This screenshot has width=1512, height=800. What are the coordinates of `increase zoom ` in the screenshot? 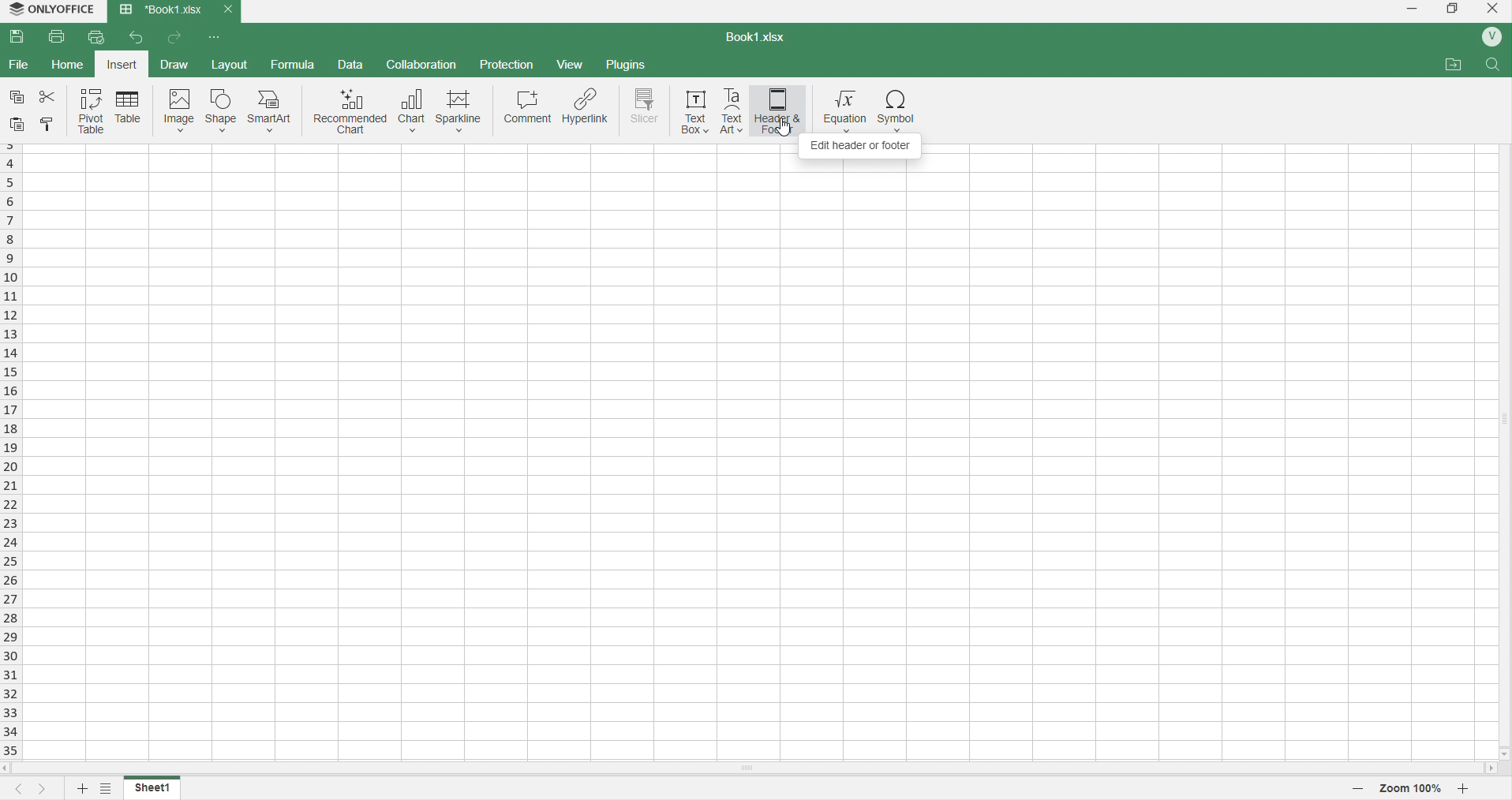 It's located at (1466, 787).